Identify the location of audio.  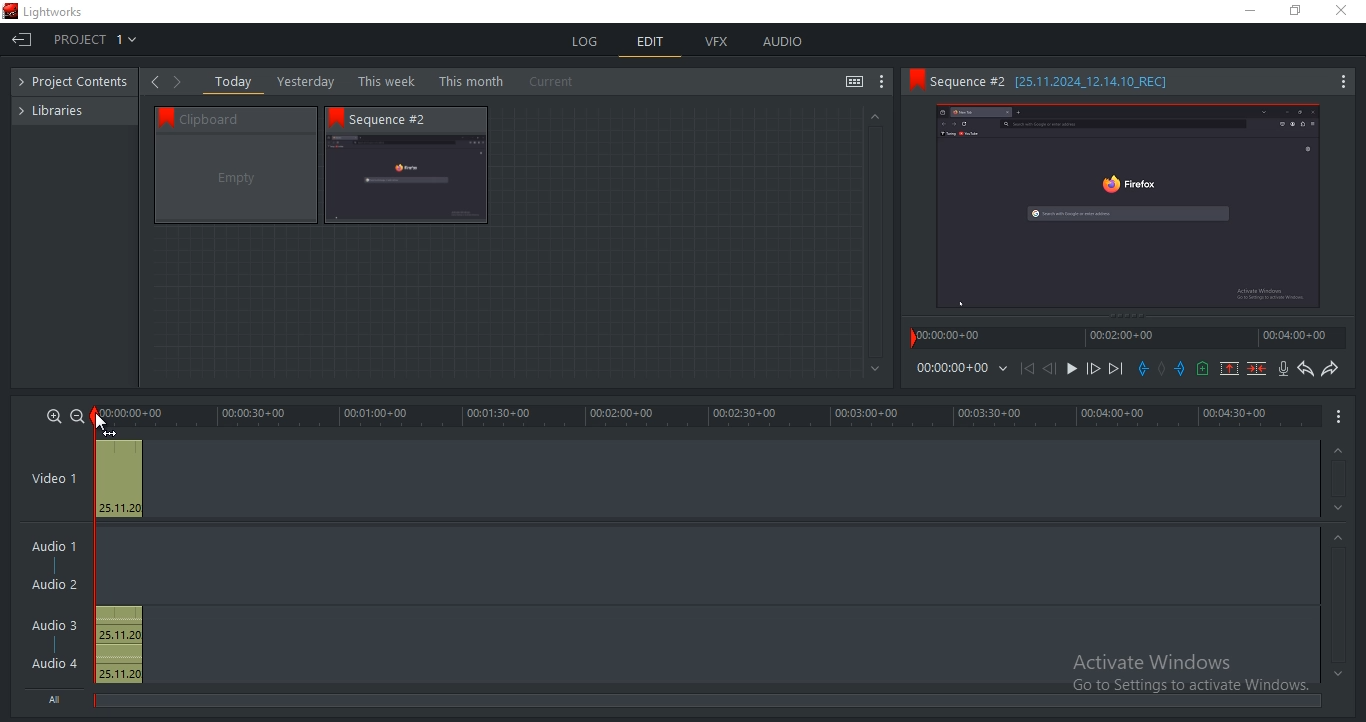
(118, 645).